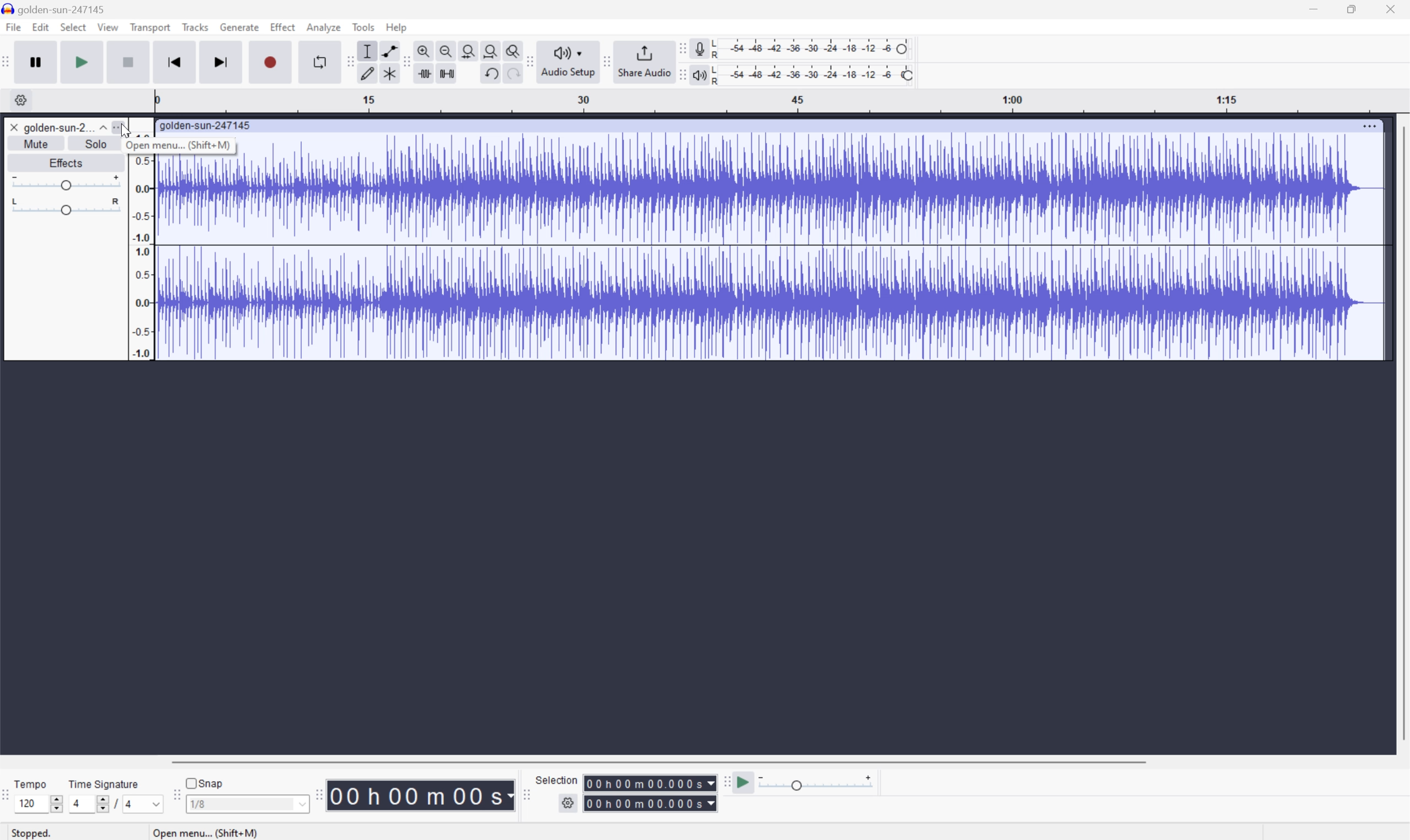 The image size is (1410, 840). Describe the element at coordinates (424, 50) in the screenshot. I see `Zoom in` at that location.